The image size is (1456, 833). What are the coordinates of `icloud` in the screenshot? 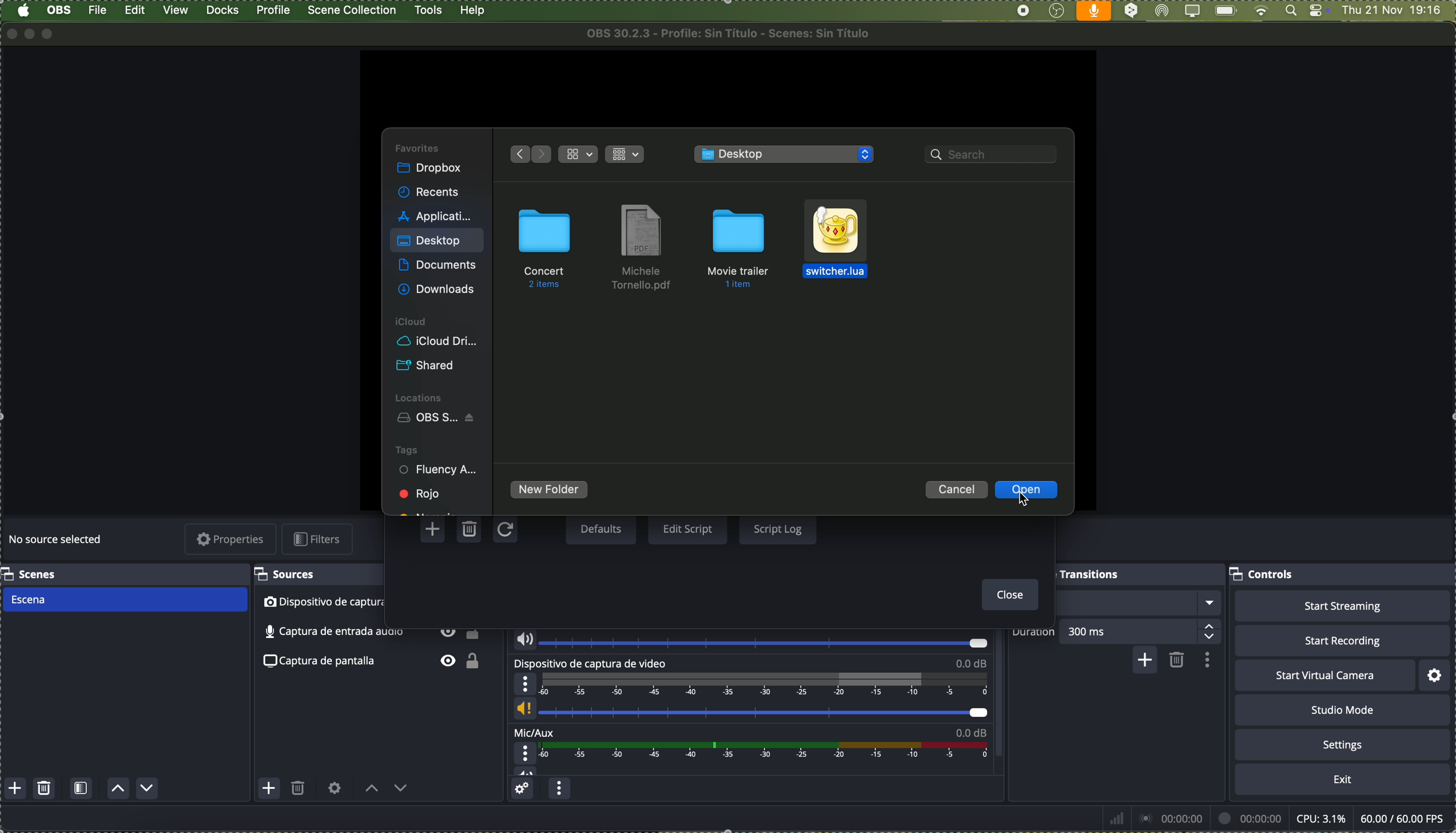 It's located at (412, 322).